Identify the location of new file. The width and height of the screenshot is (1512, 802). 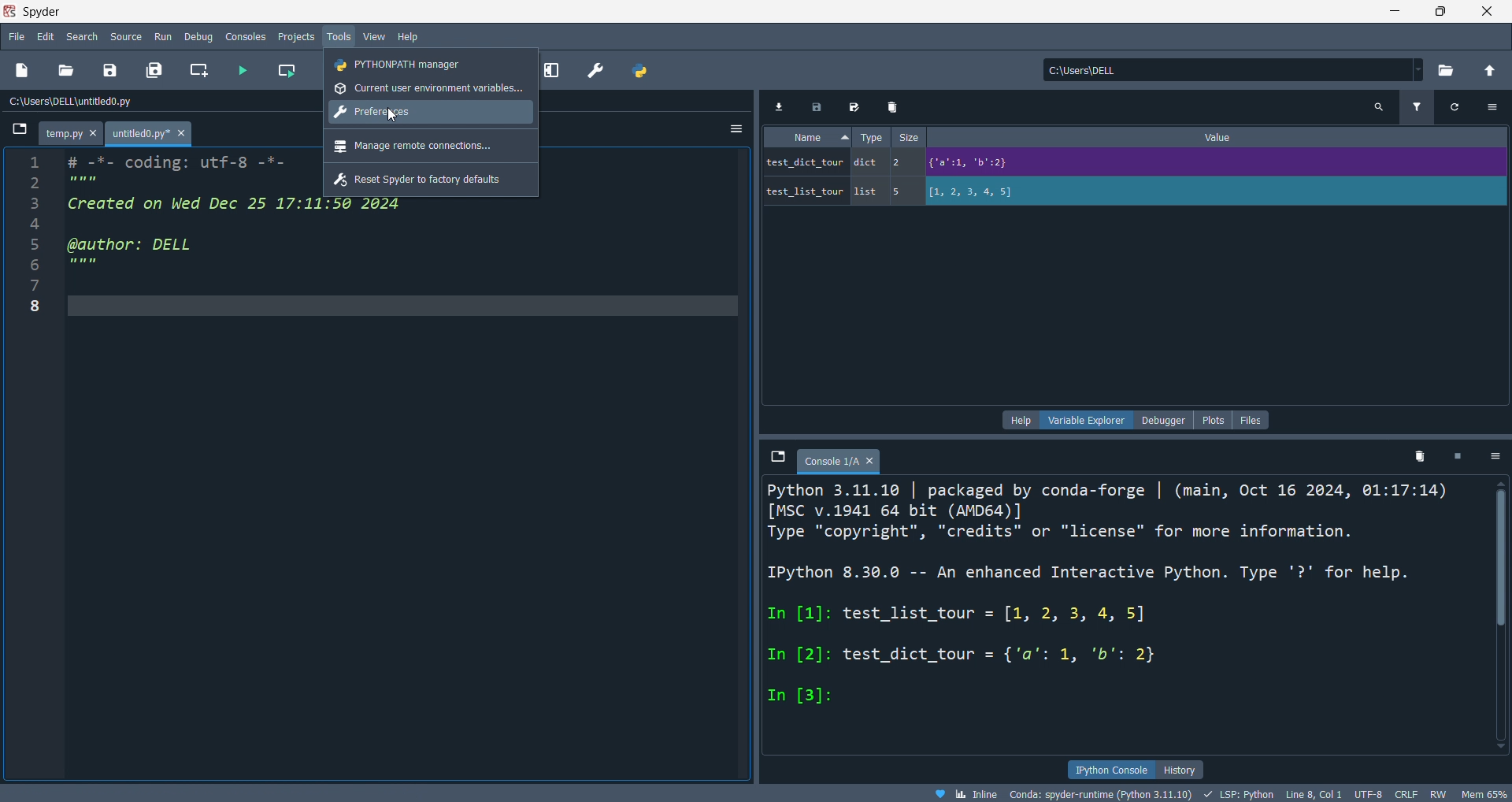
(25, 71).